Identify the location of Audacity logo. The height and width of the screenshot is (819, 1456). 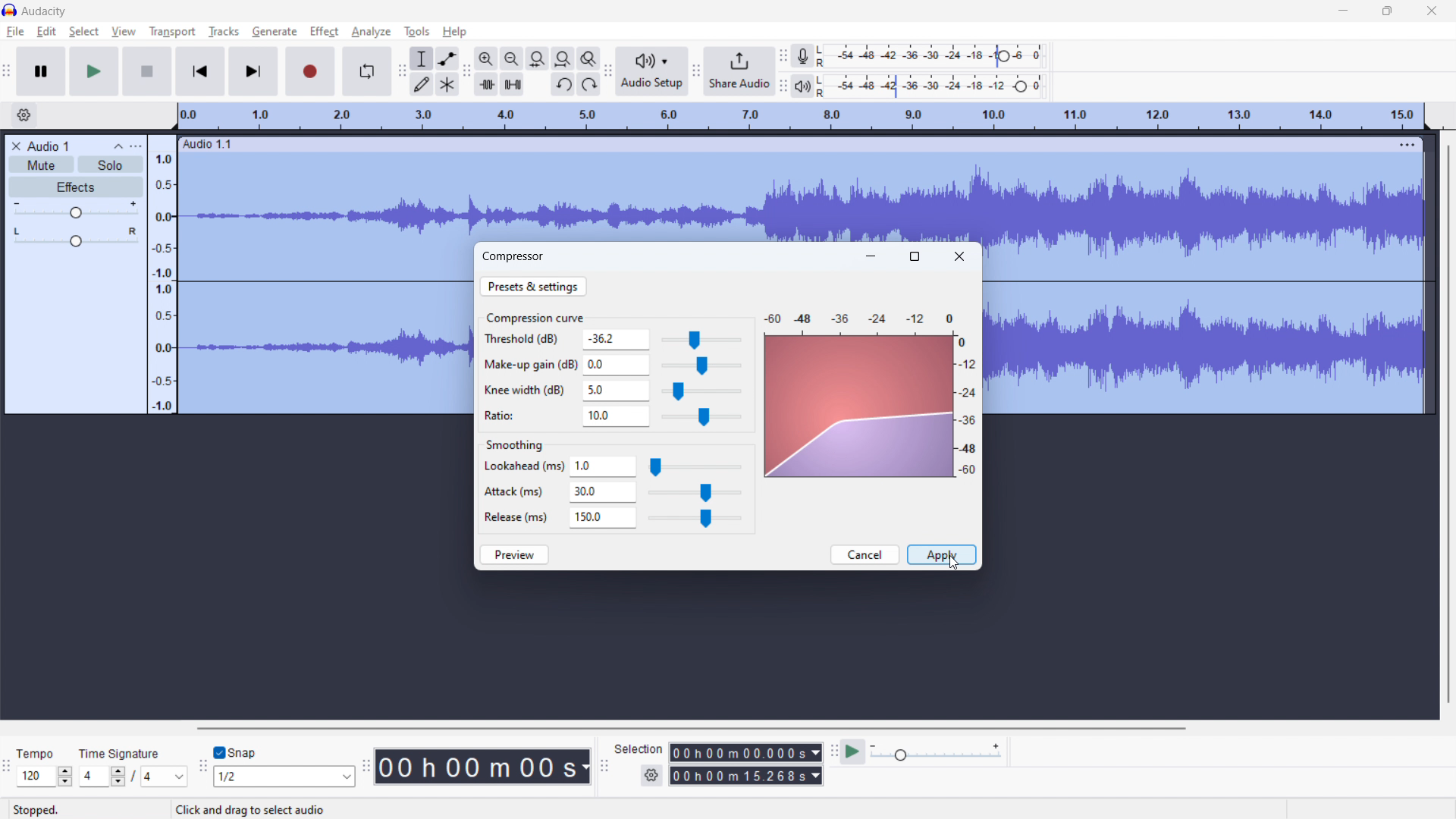
(10, 10).